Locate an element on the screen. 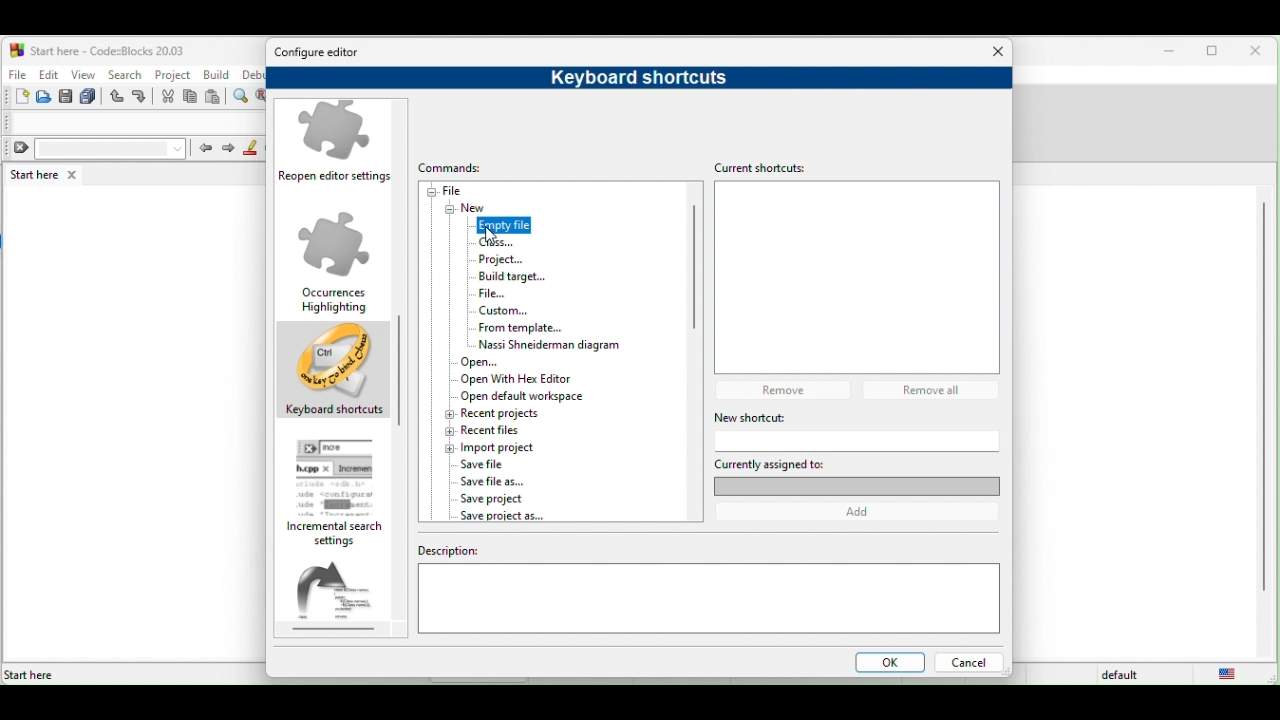 This screenshot has height=720, width=1280. default is located at coordinates (1123, 675).